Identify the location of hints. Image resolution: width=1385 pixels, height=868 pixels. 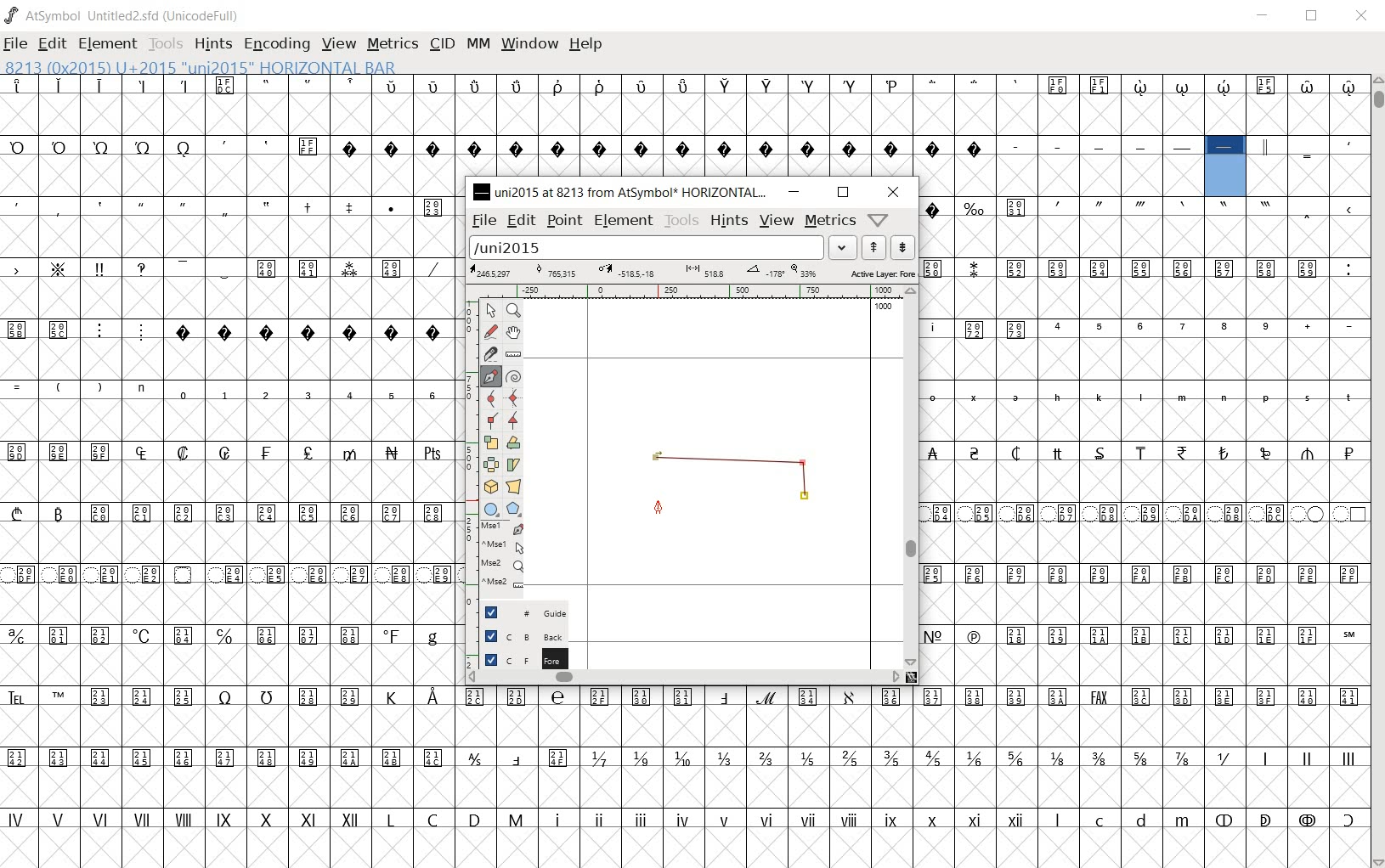
(730, 223).